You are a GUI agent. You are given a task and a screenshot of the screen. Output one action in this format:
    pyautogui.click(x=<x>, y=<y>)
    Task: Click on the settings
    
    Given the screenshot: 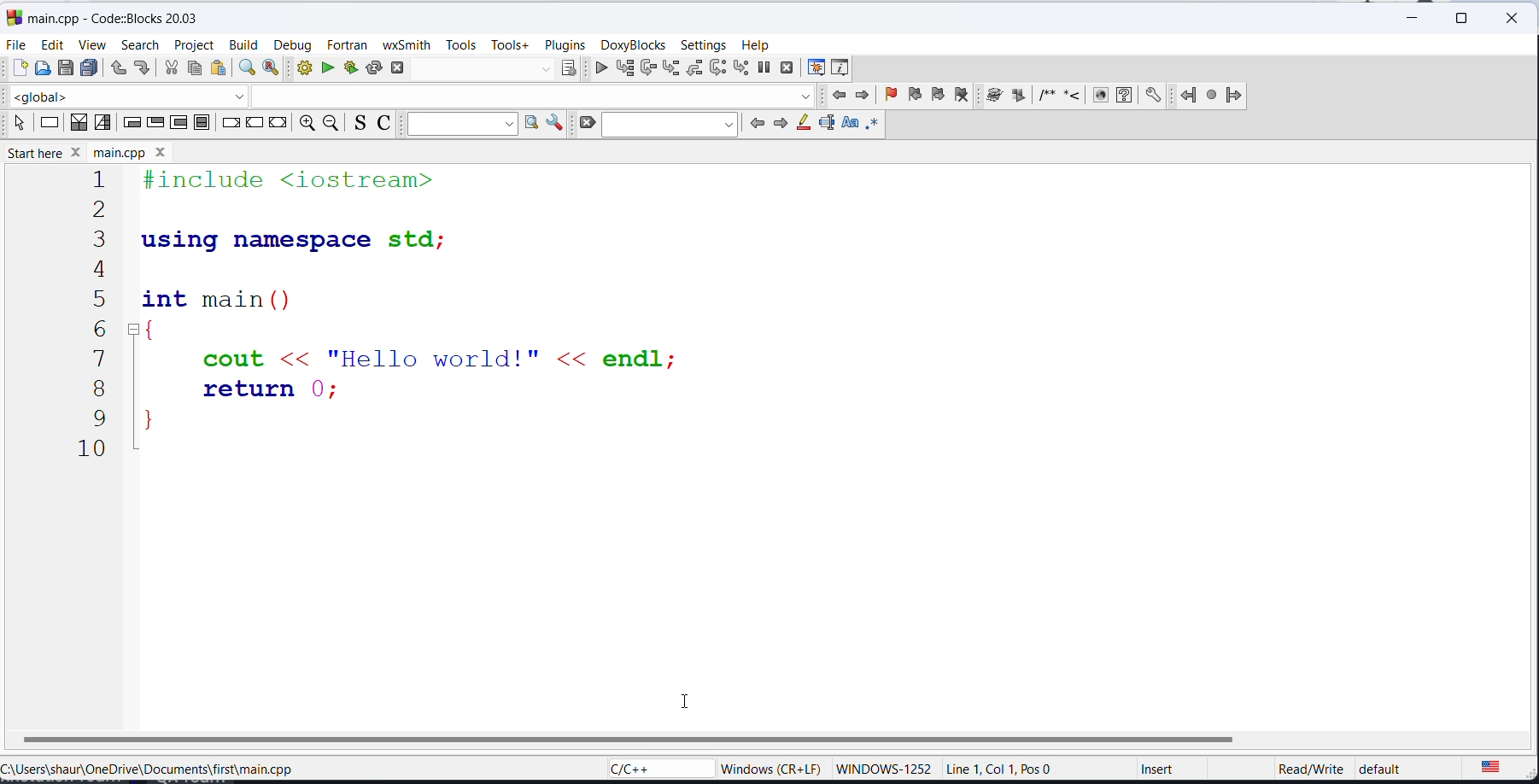 What is the action you would take?
    pyautogui.click(x=702, y=44)
    